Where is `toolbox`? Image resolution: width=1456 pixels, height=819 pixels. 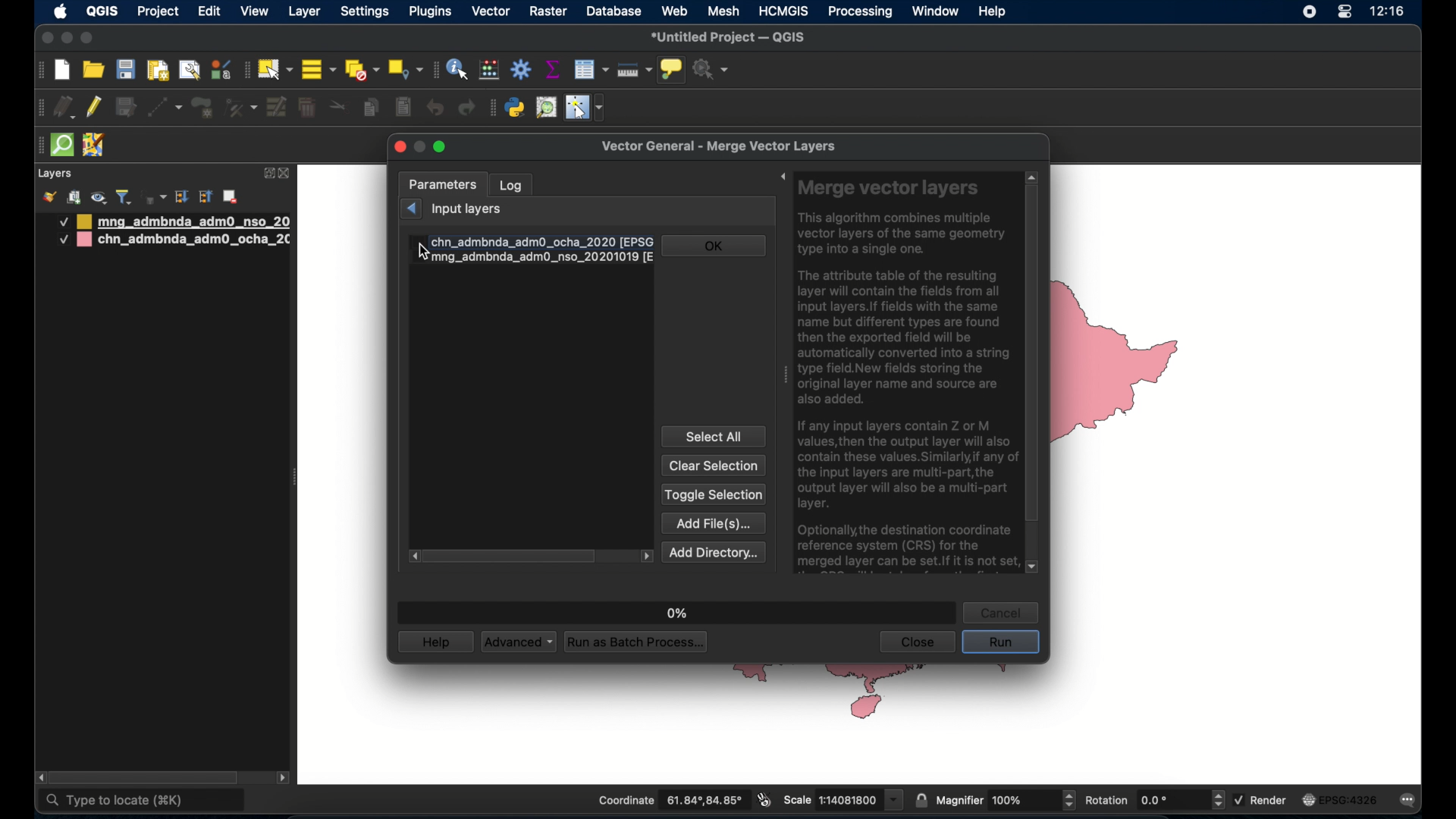
toolbox is located at coordinates (522, 70).